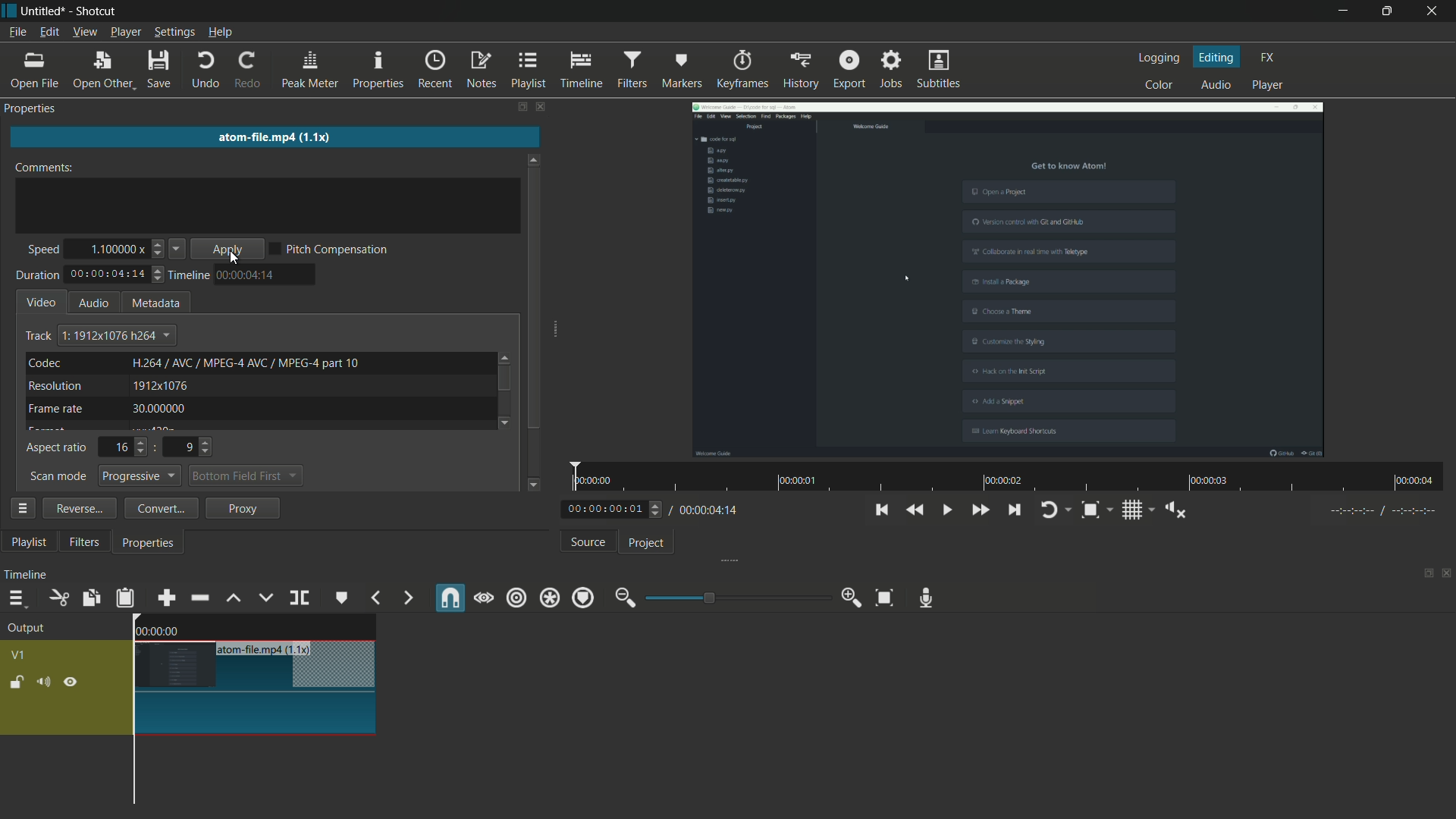 The height and width of the screenshot is (819, 1456). I want to click on record audio, so click(926, 599).